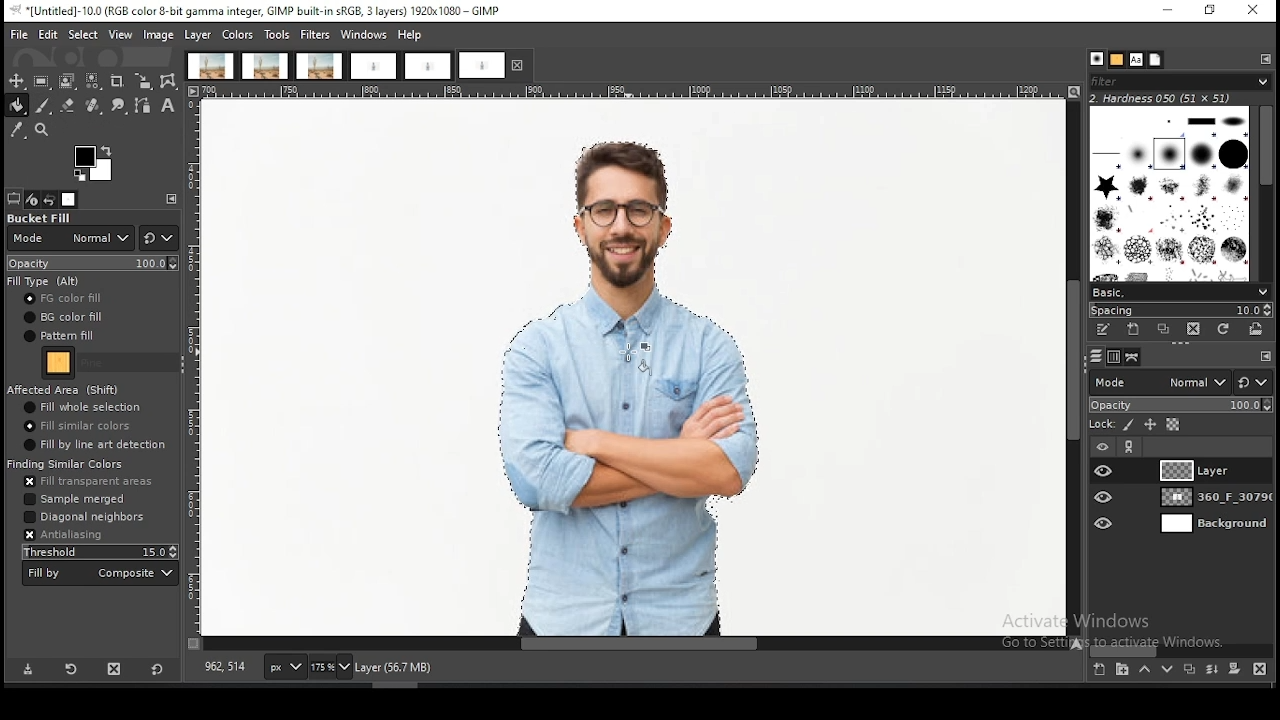 The image size is (1280, 720). Describe the element at coordinates (67, 463) in the screenshot. I see `finding similar colors` at that location.